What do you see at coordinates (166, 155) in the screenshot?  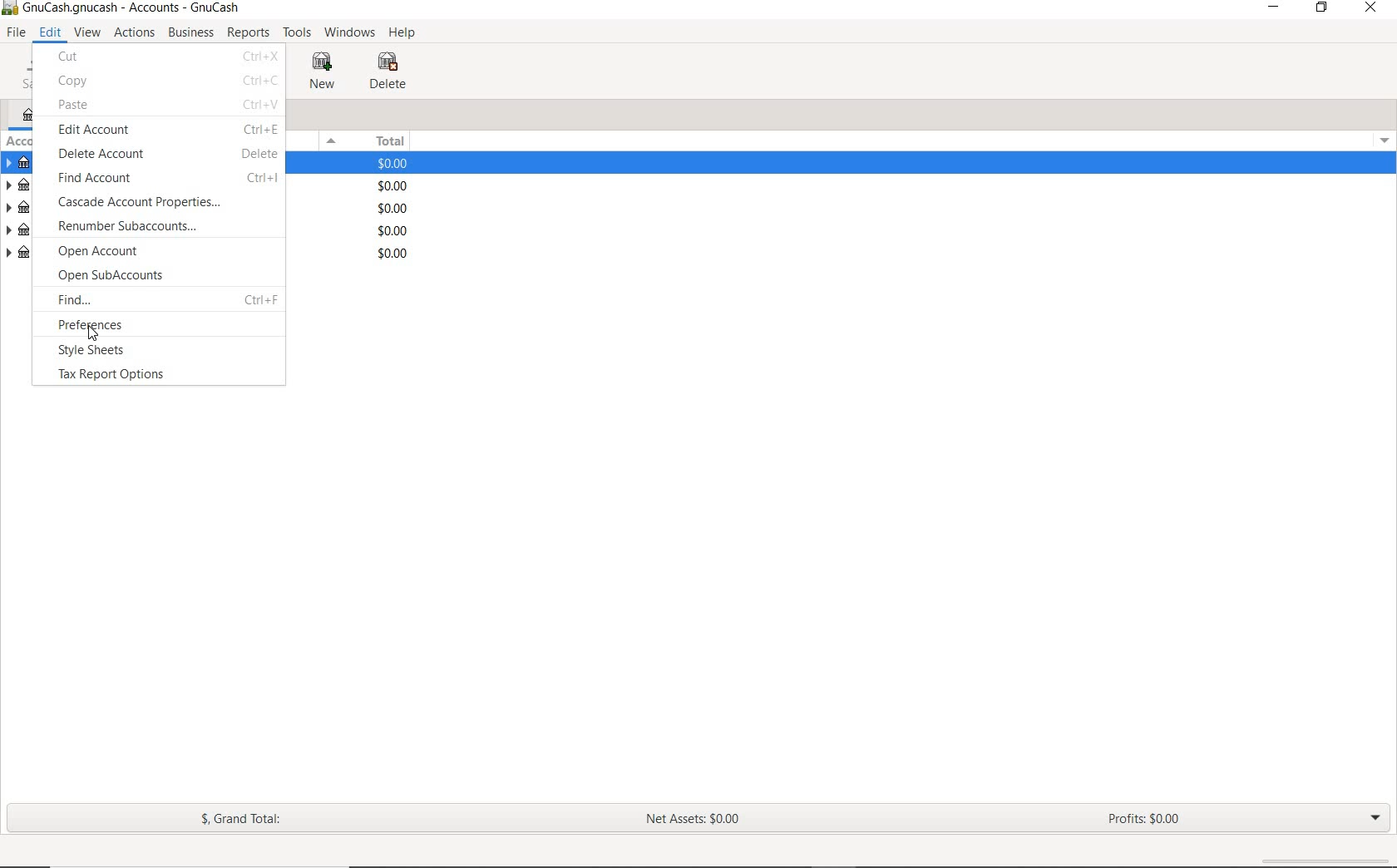 I see `DELETE ACCOUNT` at bounding box center [166, 155].